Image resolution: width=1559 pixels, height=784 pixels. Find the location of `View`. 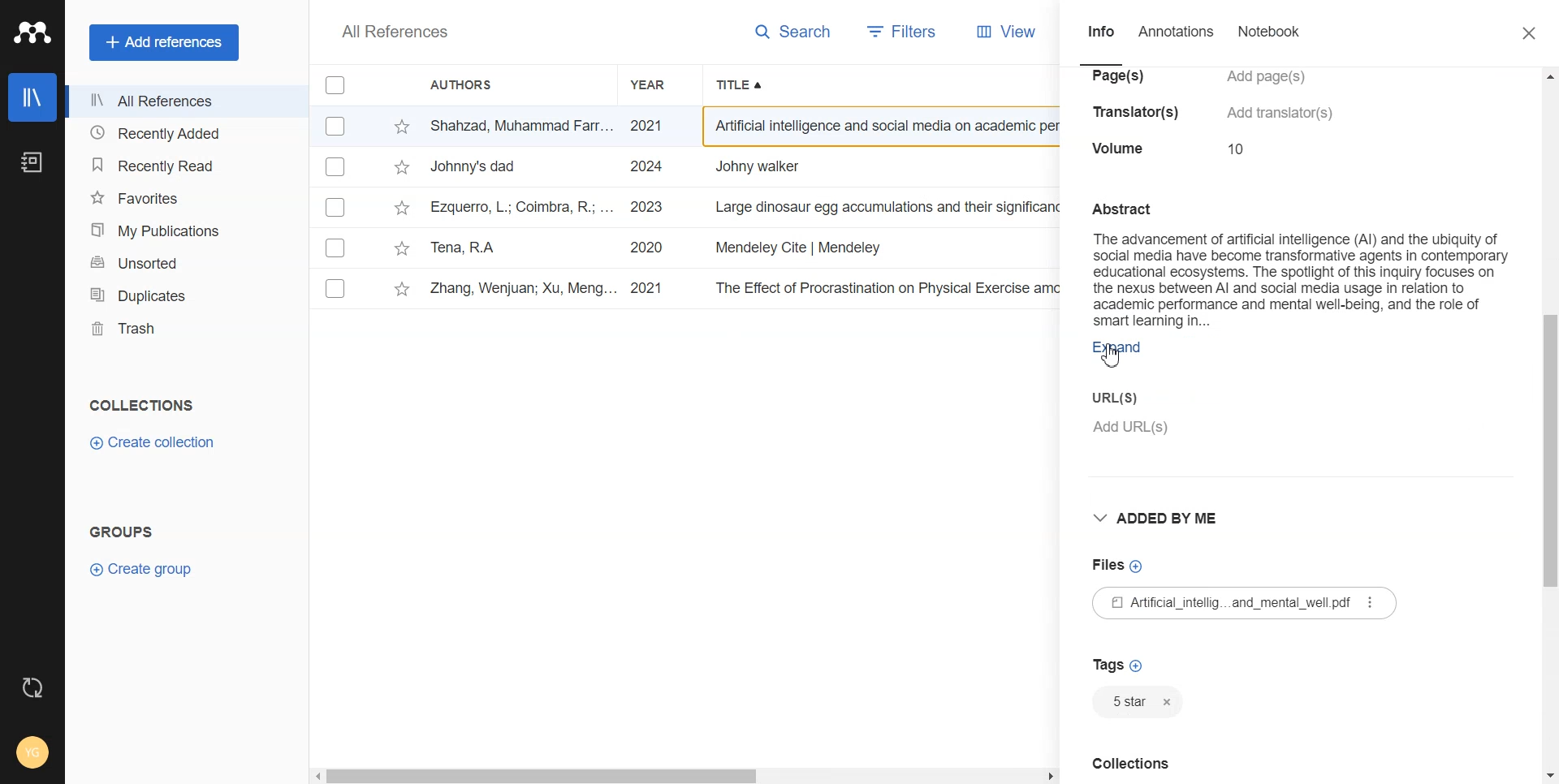

View is located at coordinates (1002, 33).